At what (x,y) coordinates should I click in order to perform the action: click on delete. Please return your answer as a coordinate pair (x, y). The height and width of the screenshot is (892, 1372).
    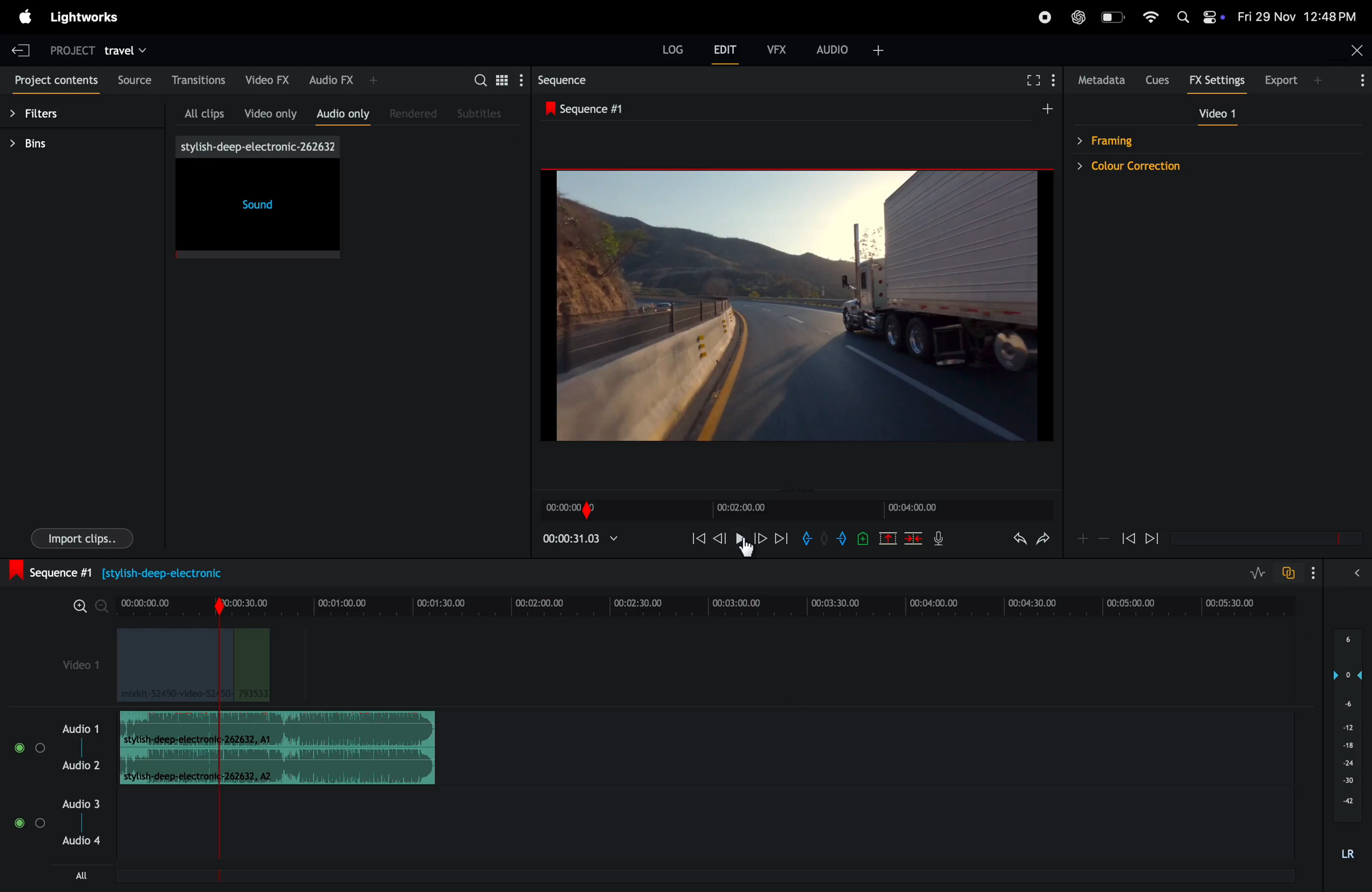
    Looking at the image, I should click on (914, 537).